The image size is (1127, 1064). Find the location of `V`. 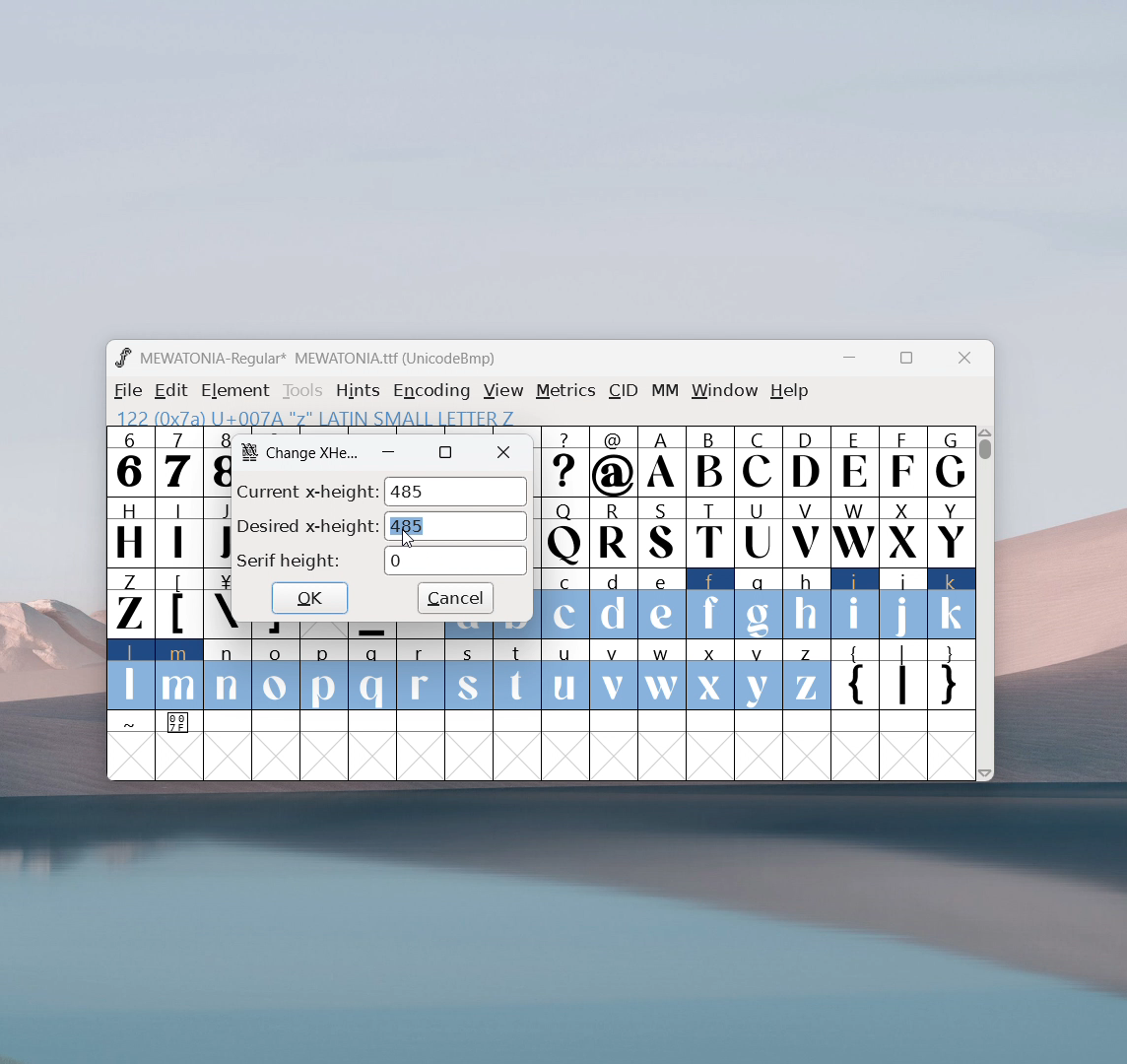

V is located at coordinates (805, 531).